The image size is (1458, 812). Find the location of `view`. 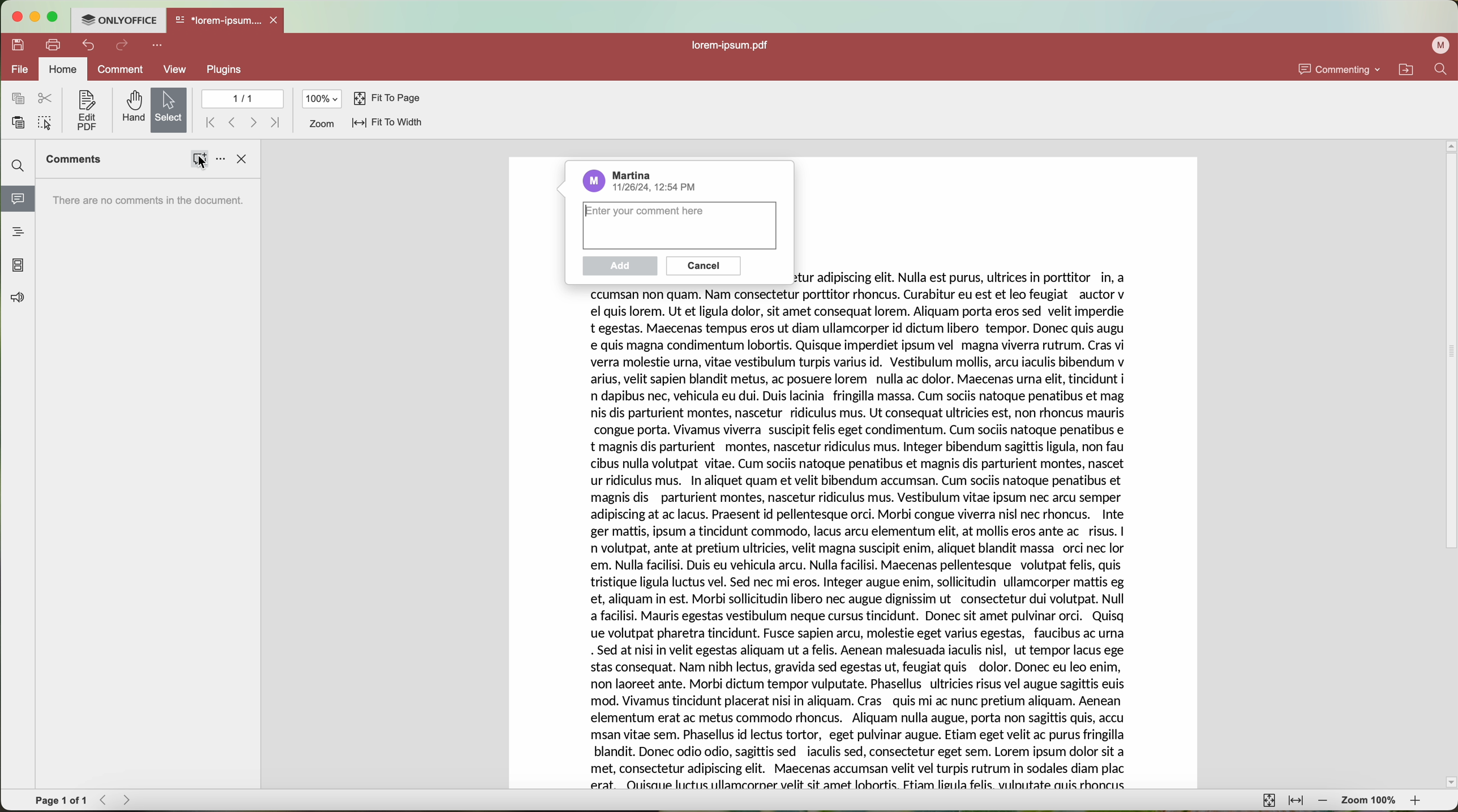

view is located at coordinates (177, 69).